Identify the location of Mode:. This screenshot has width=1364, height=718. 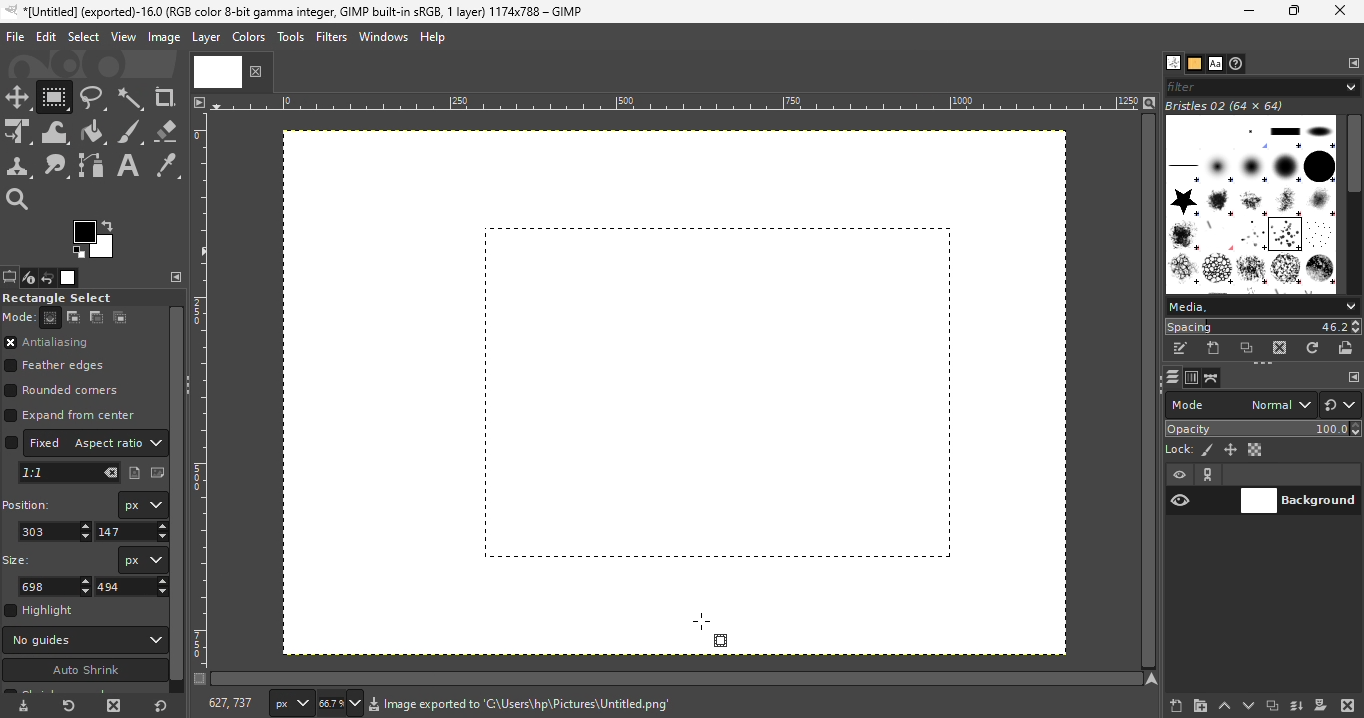
(20, 318).